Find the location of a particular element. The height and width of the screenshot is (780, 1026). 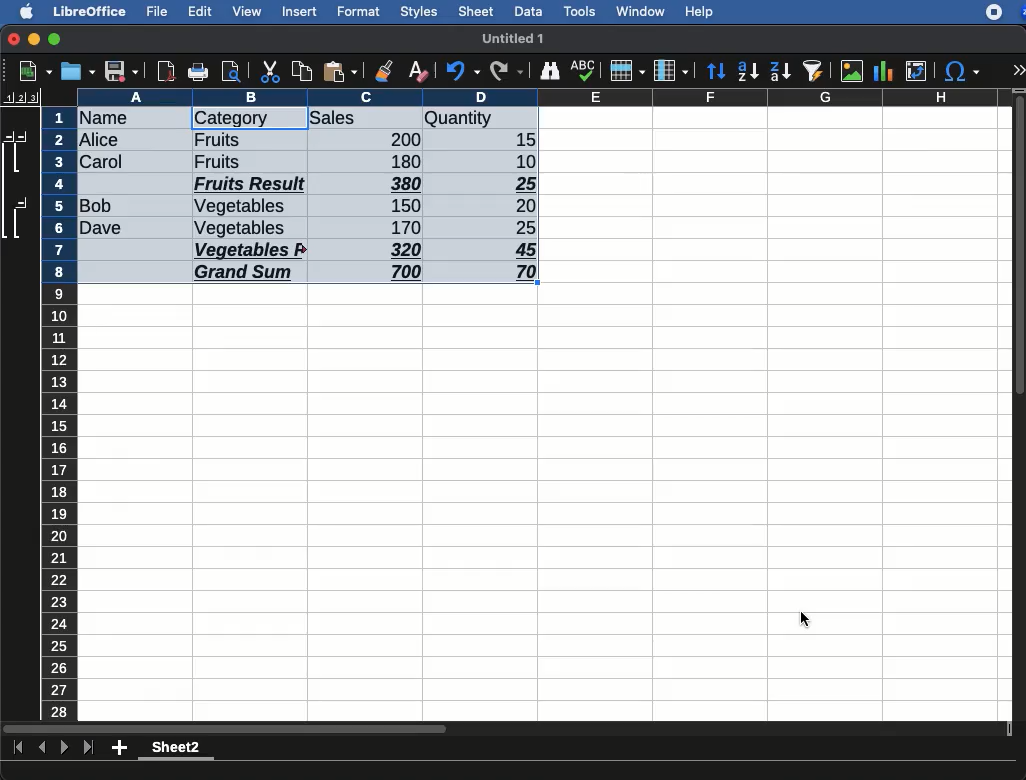

undo is located at coordinates (463, 71).